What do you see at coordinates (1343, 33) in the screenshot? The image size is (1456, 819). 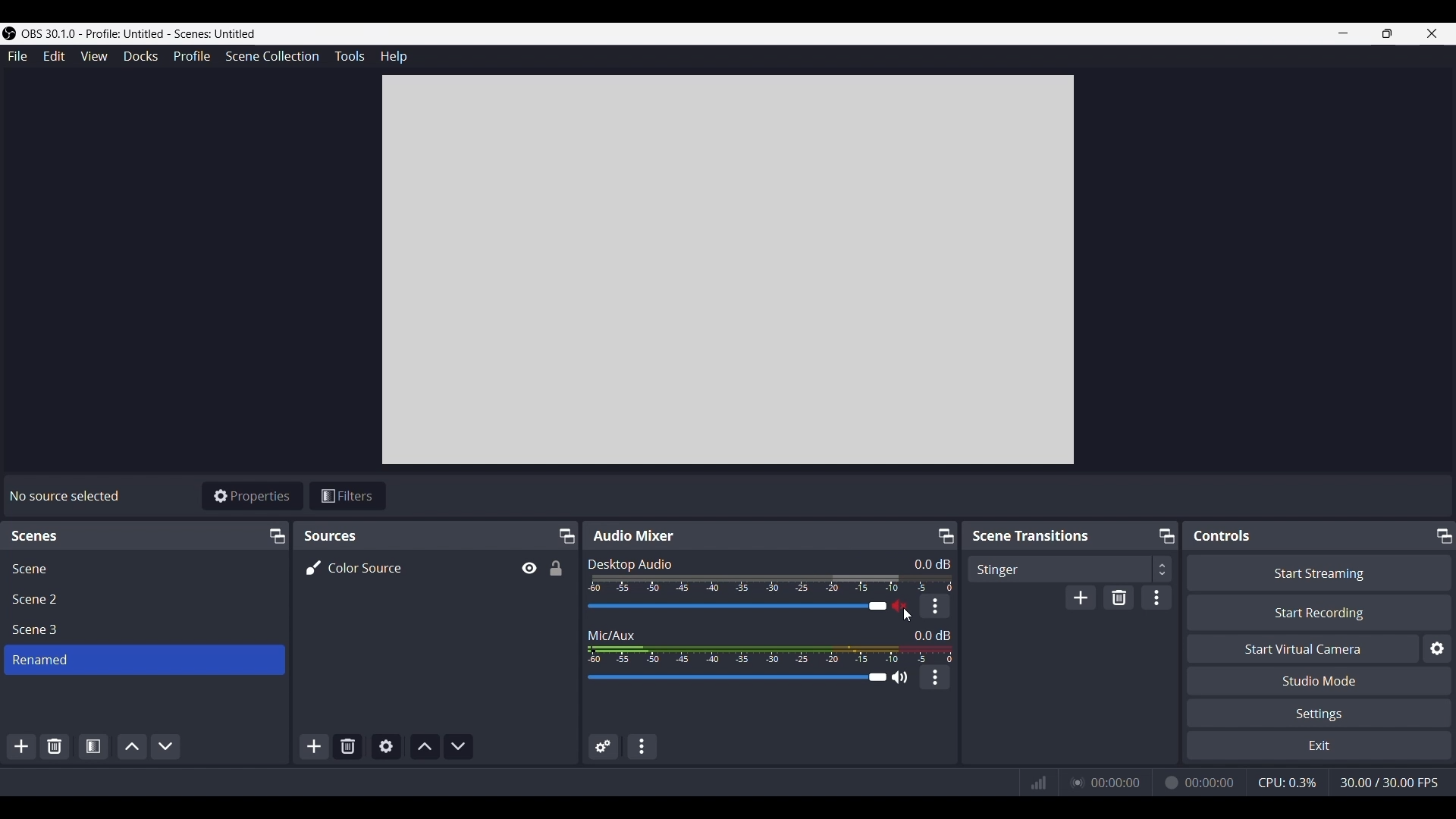 I see `Minimize` at bounding box center [1343, 33].